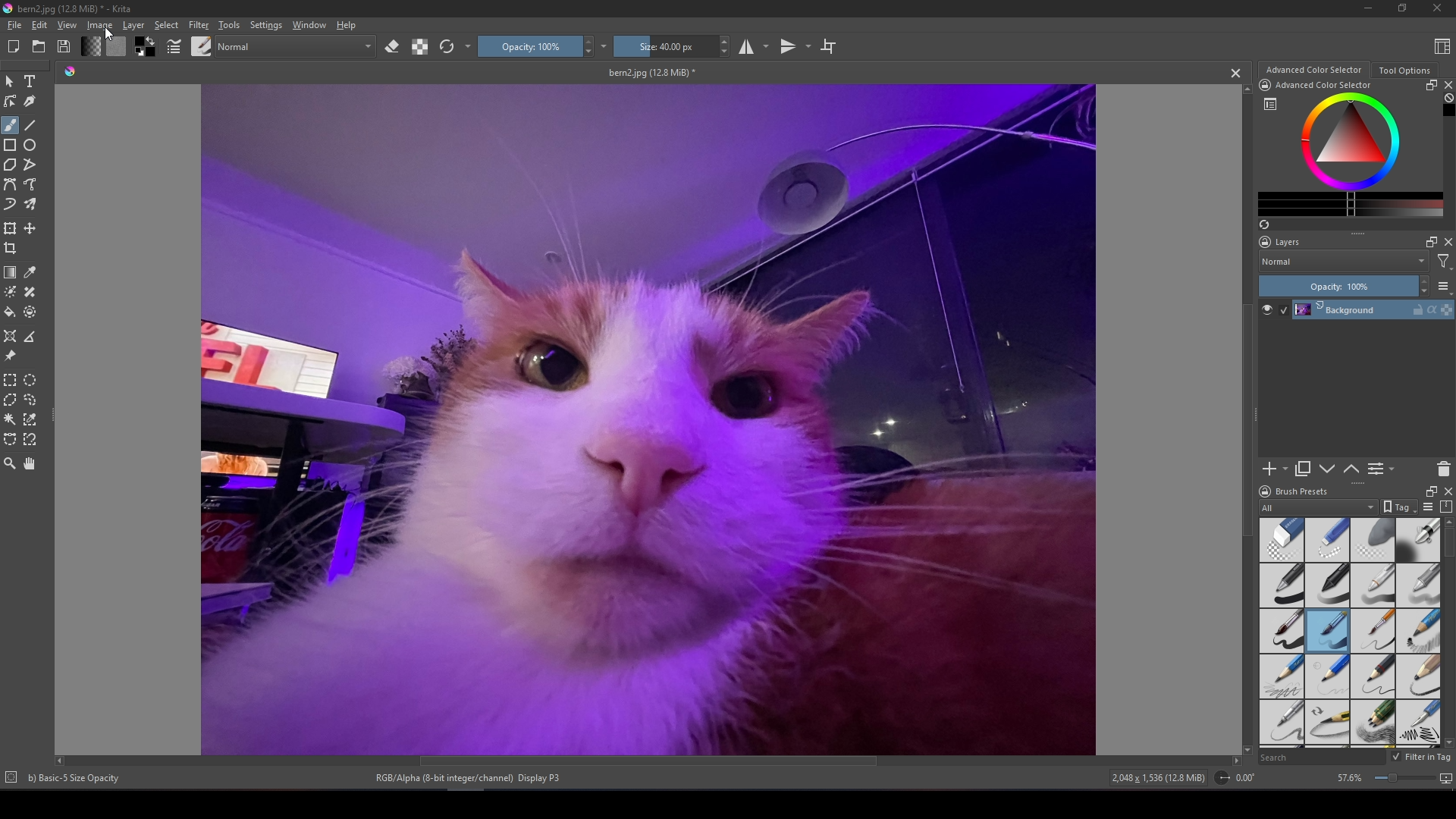  Describe the element at coordinates (1349, 141) in the screenshot. I see `Color wheel` at that location.